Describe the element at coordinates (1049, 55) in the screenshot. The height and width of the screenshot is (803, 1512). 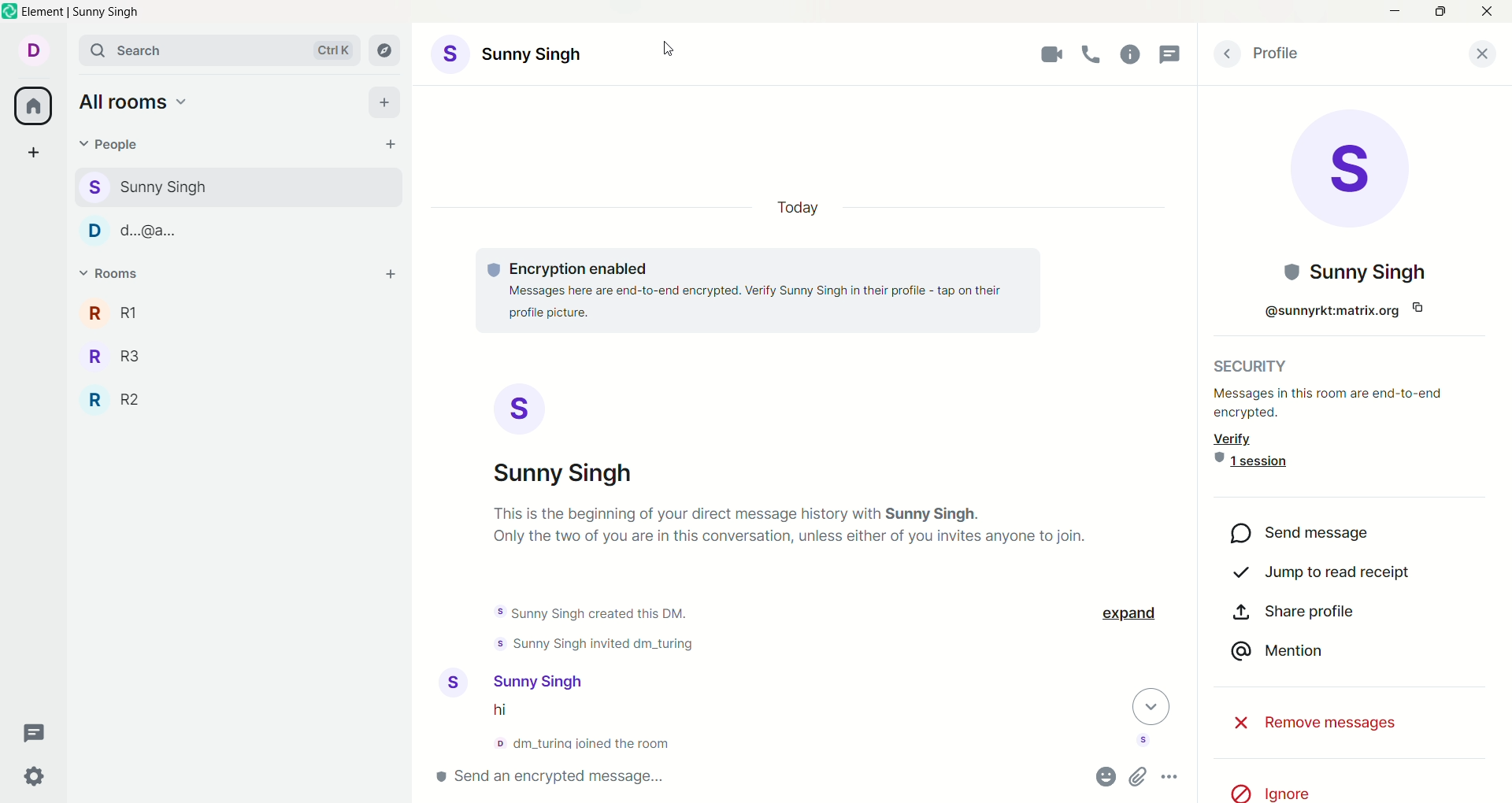
I see `Video Call` at that location.